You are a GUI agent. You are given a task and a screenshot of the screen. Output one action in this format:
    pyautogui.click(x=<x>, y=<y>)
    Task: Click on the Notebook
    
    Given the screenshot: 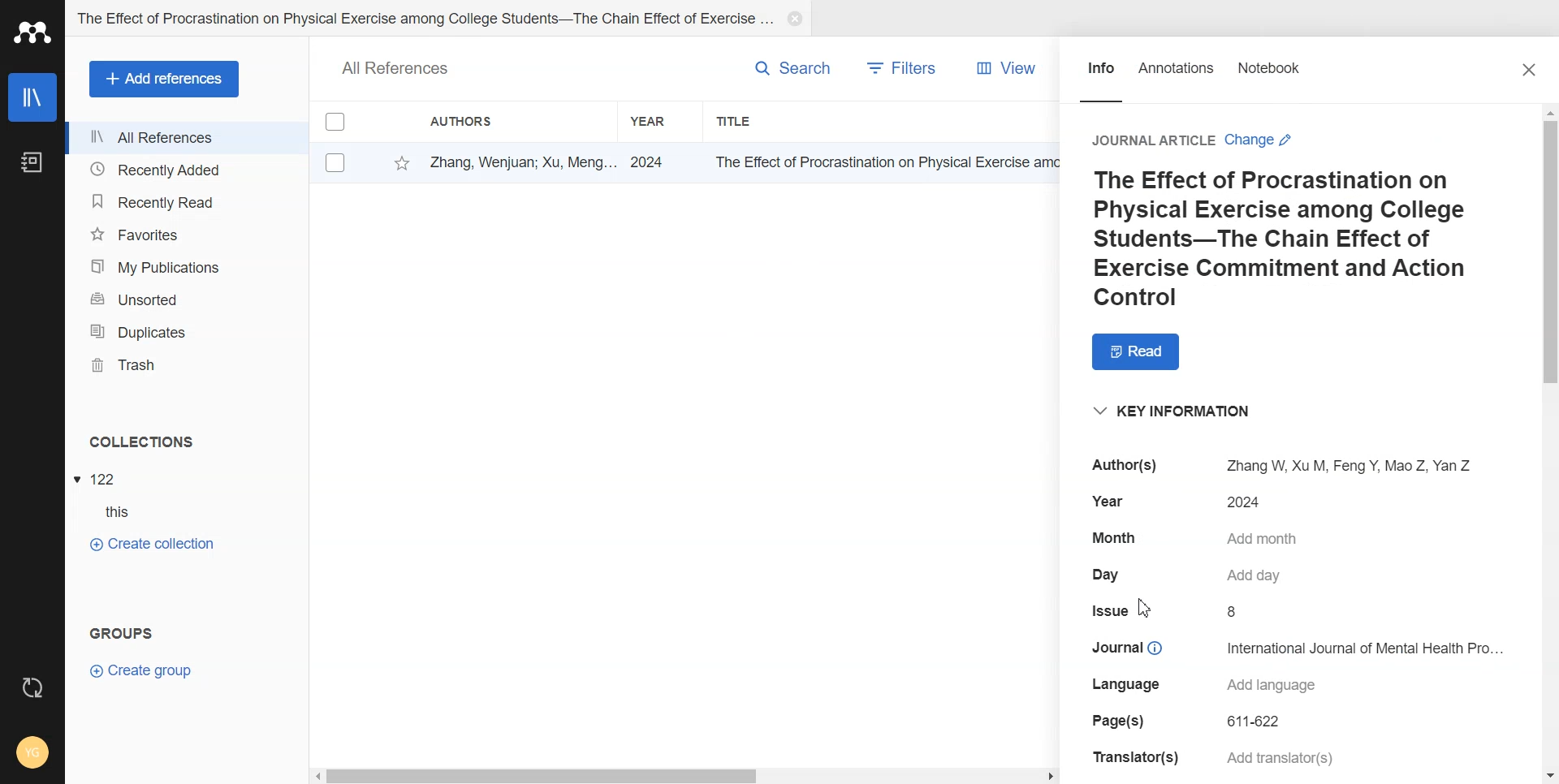 What is the action you would take?
    pyautogui.click(x=1282, y=75)
    